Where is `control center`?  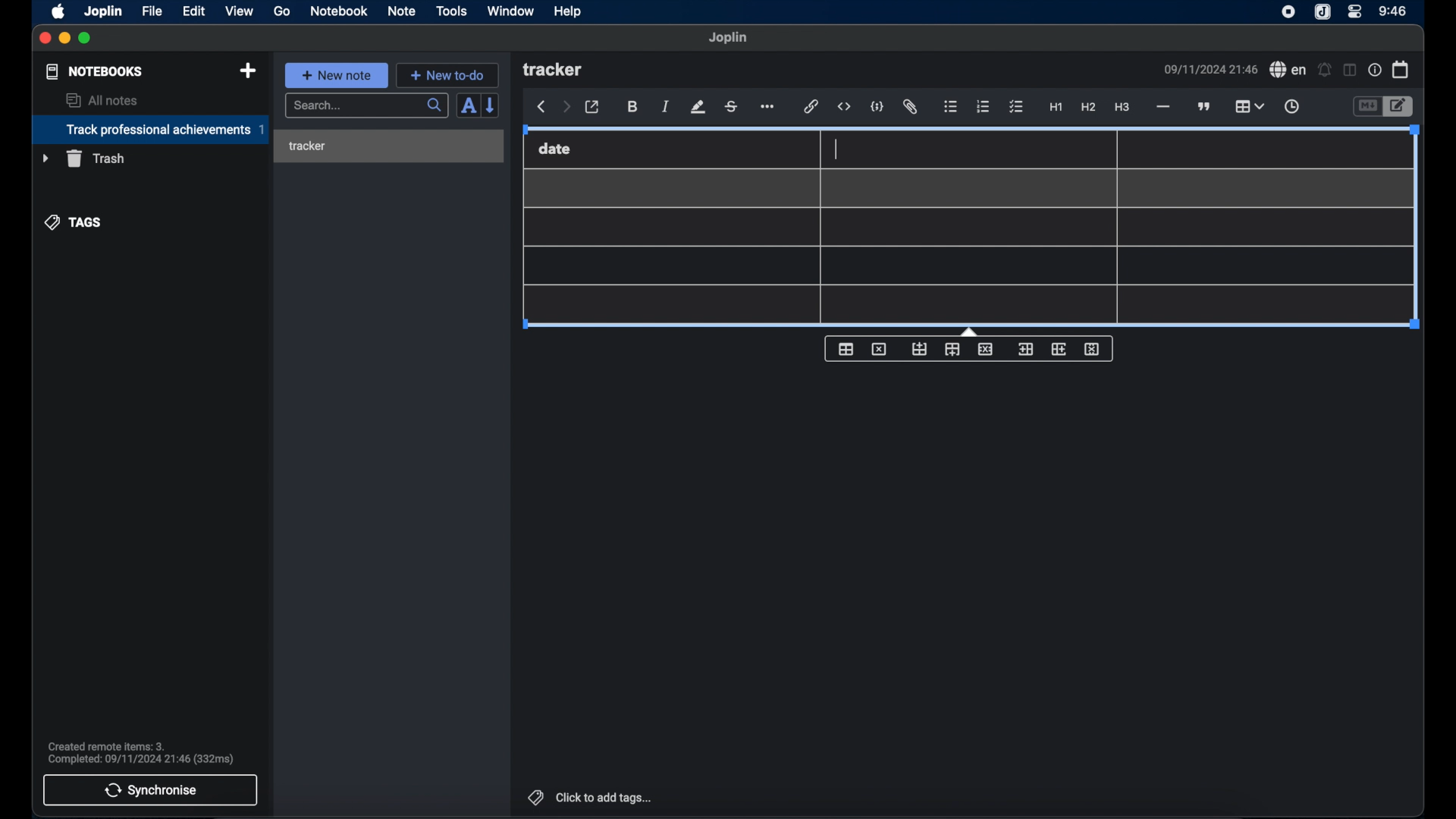 control center is located at coordinates (1355, 12).